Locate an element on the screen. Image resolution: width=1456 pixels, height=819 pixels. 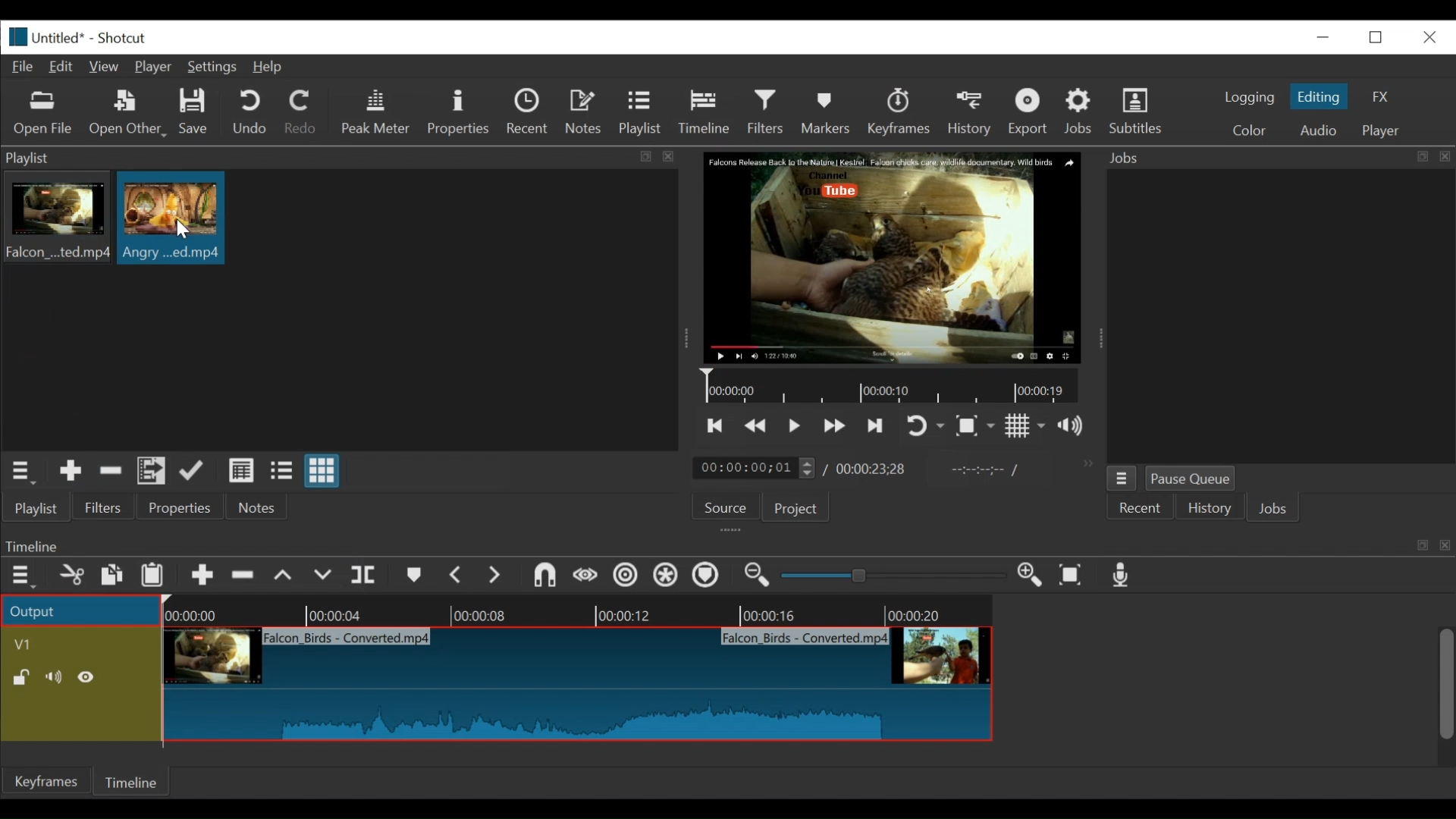
play forward quickly is located at coordinates (836, 428).